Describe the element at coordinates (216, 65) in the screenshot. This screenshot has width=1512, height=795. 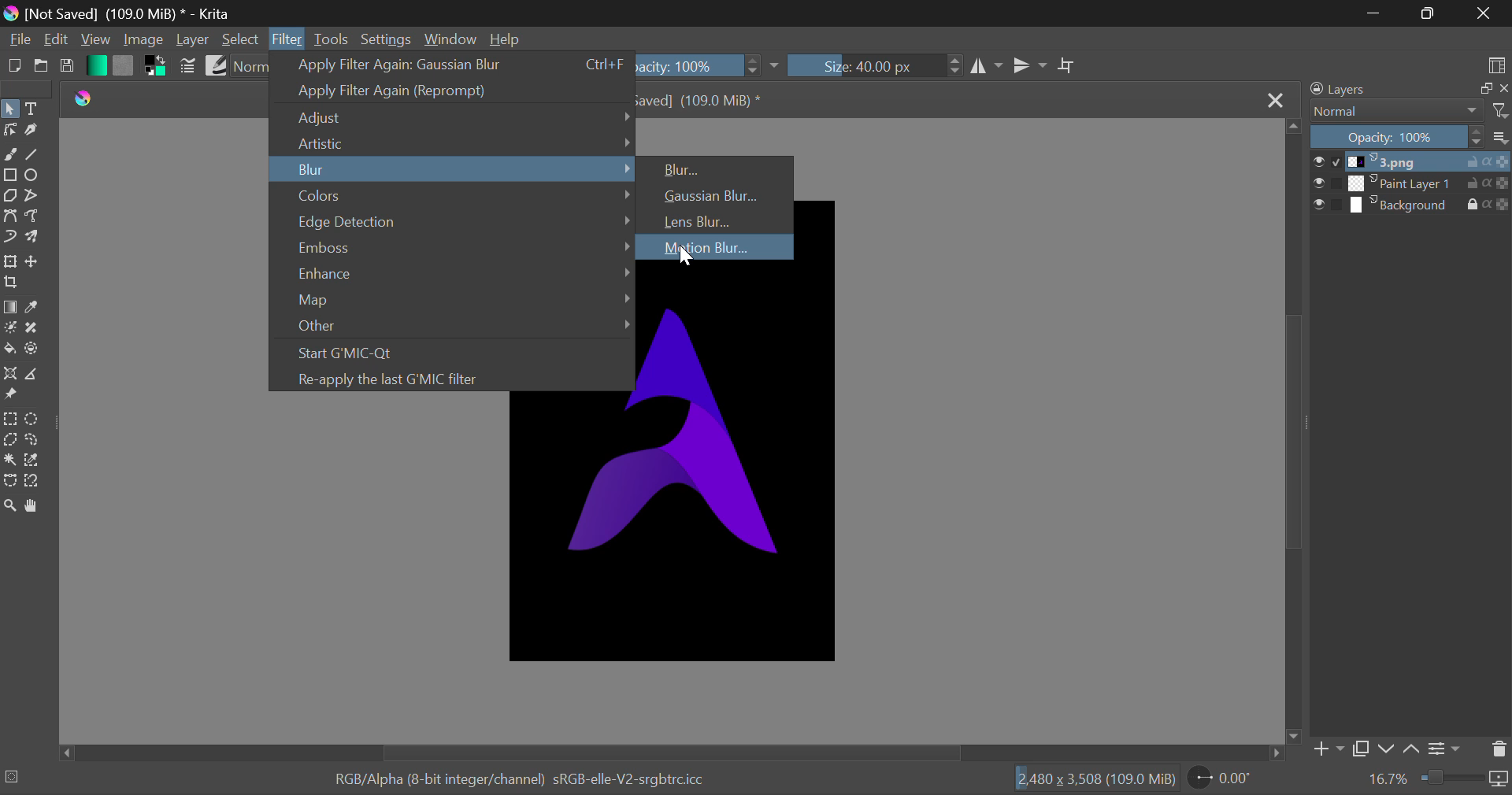
I see `Brush Presets` at that location.